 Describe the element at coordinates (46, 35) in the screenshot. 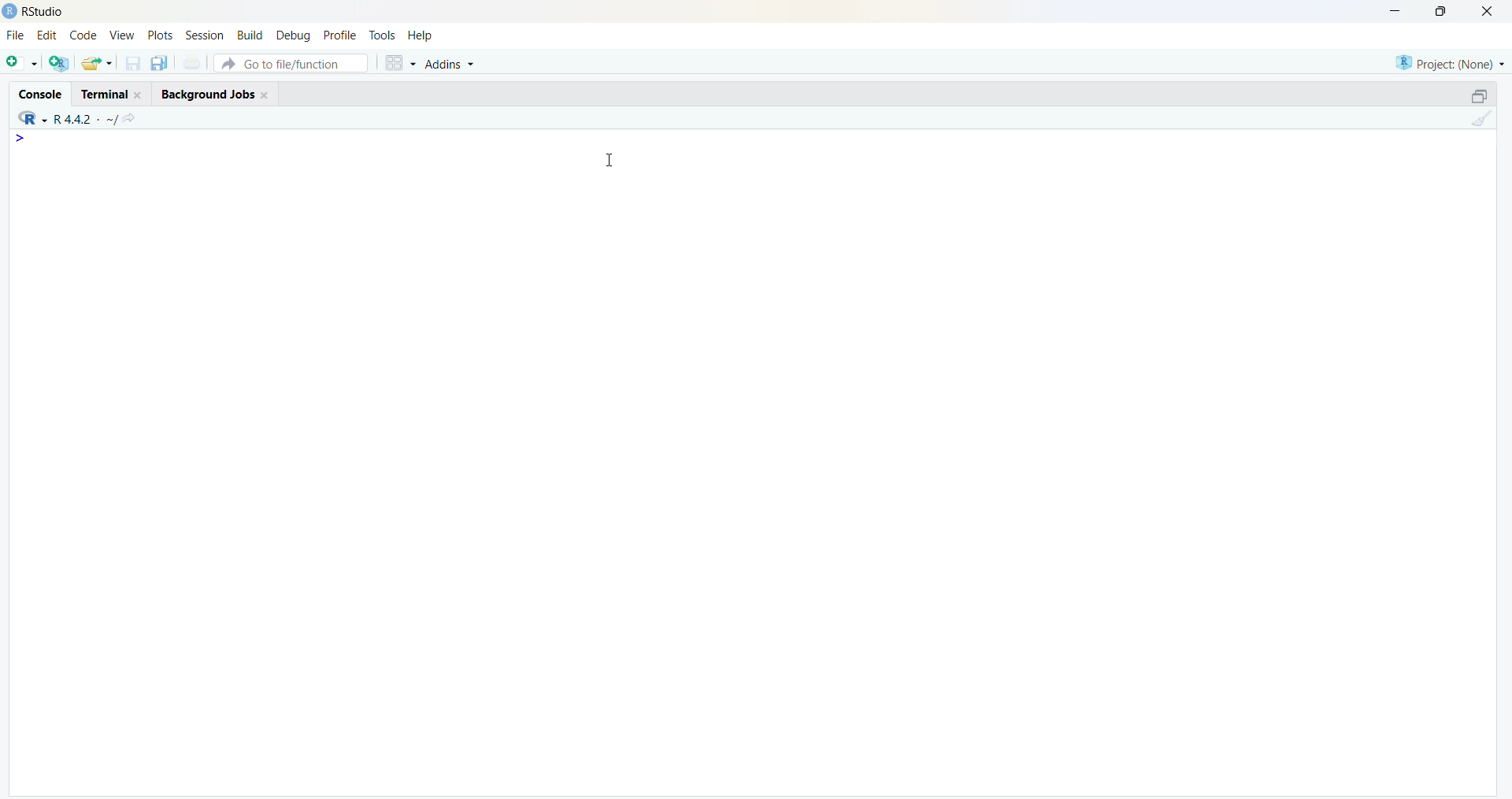

I see `edit` at that location.